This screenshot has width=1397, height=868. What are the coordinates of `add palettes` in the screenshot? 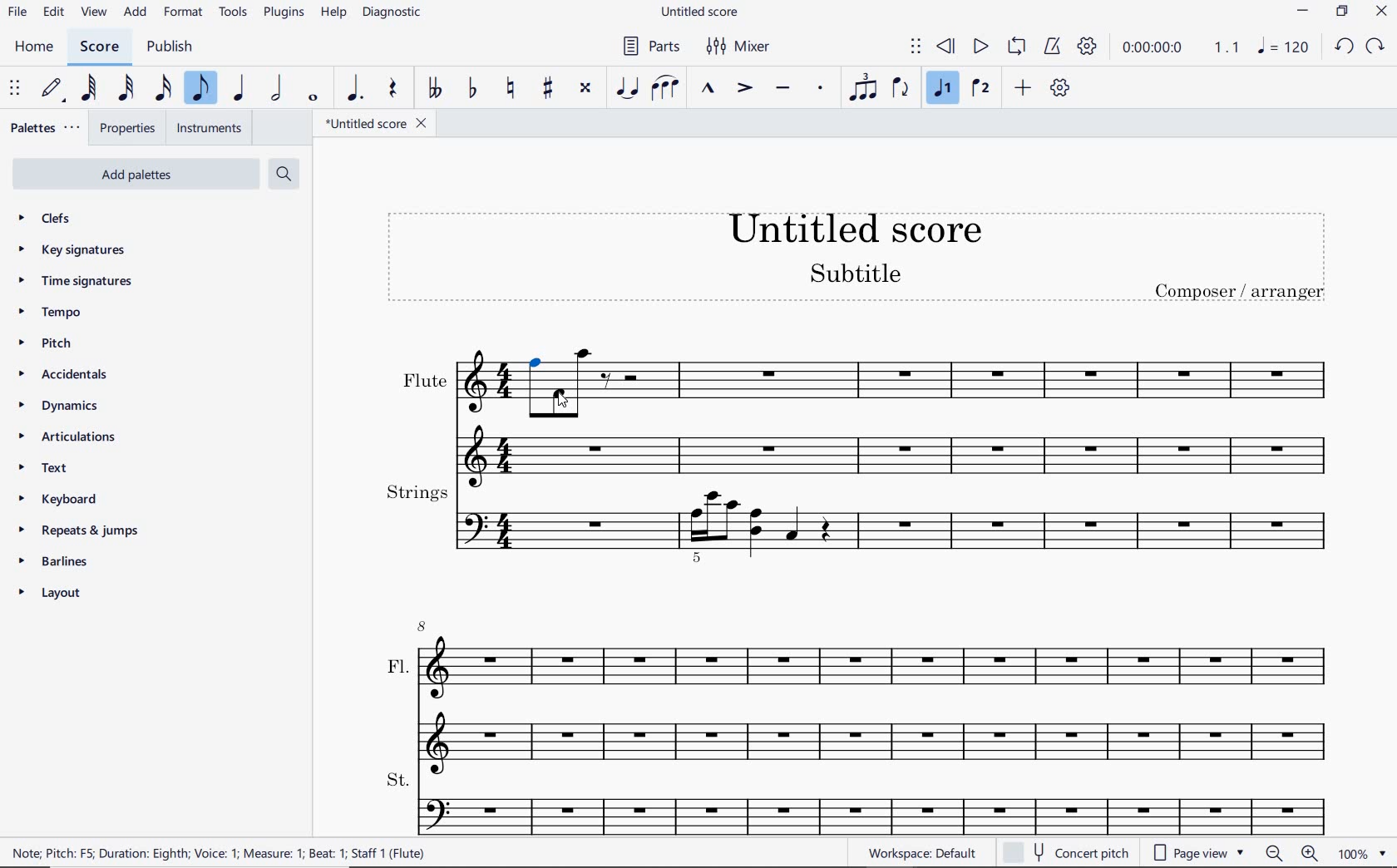 It's located at (142, 173).